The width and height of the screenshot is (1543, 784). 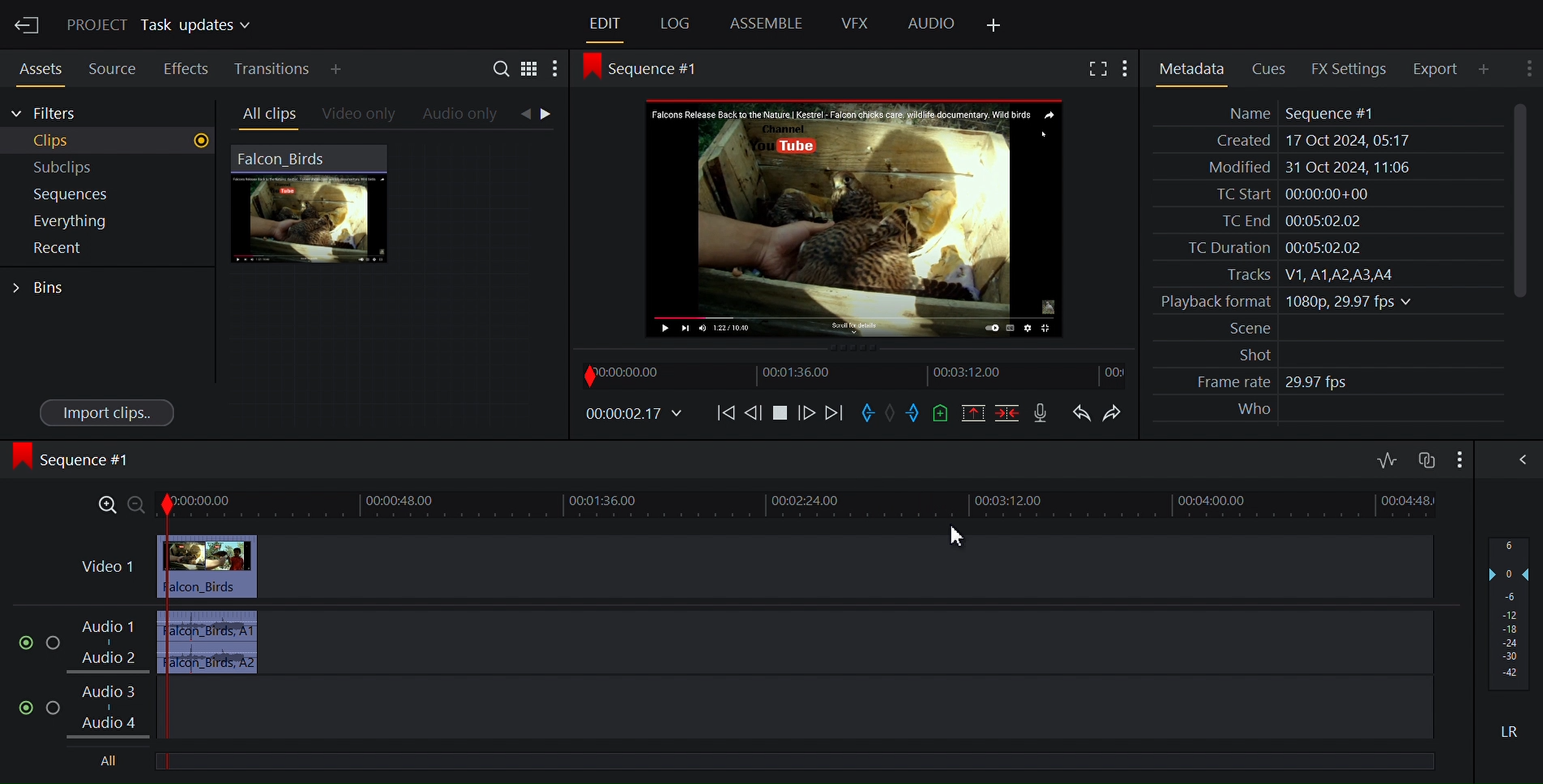 What do you see at coordinates (915, 414) in the screenshot?
I see `Mark out` at bounding box center [915, 414].